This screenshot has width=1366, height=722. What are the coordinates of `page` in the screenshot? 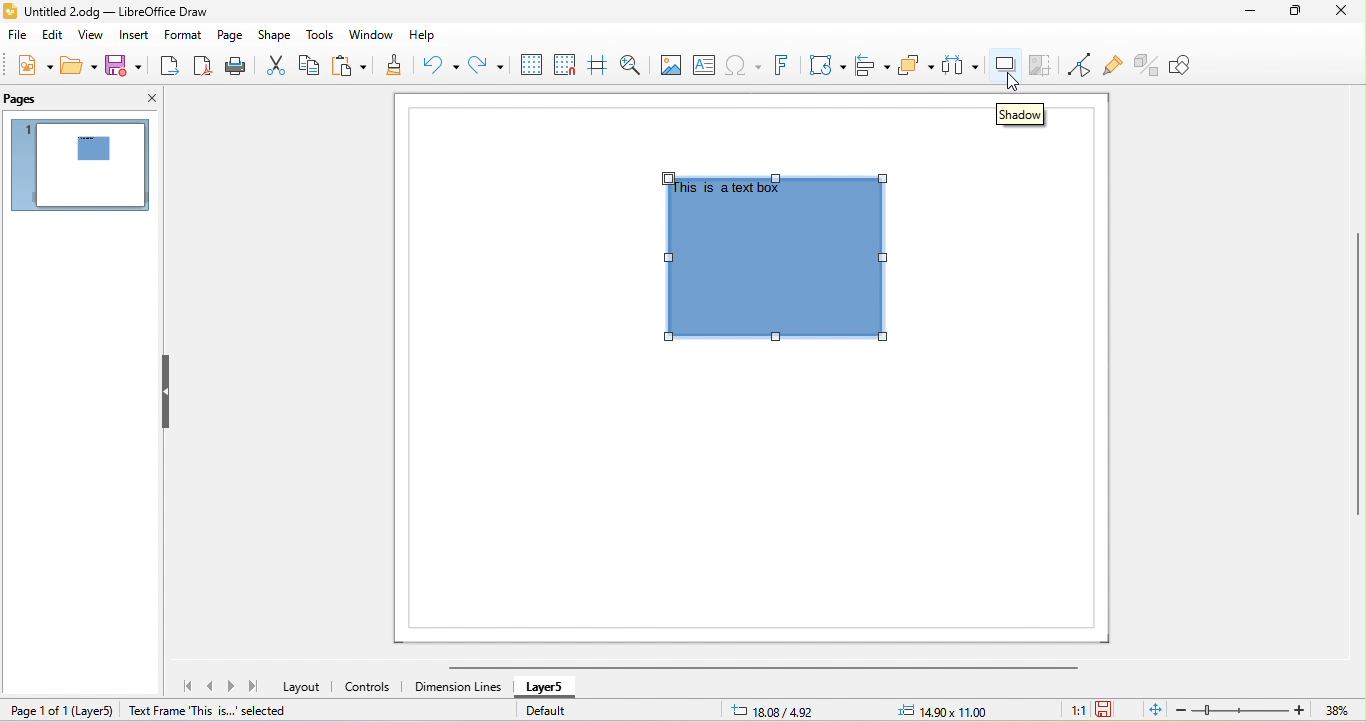 It's located at (230, 35).